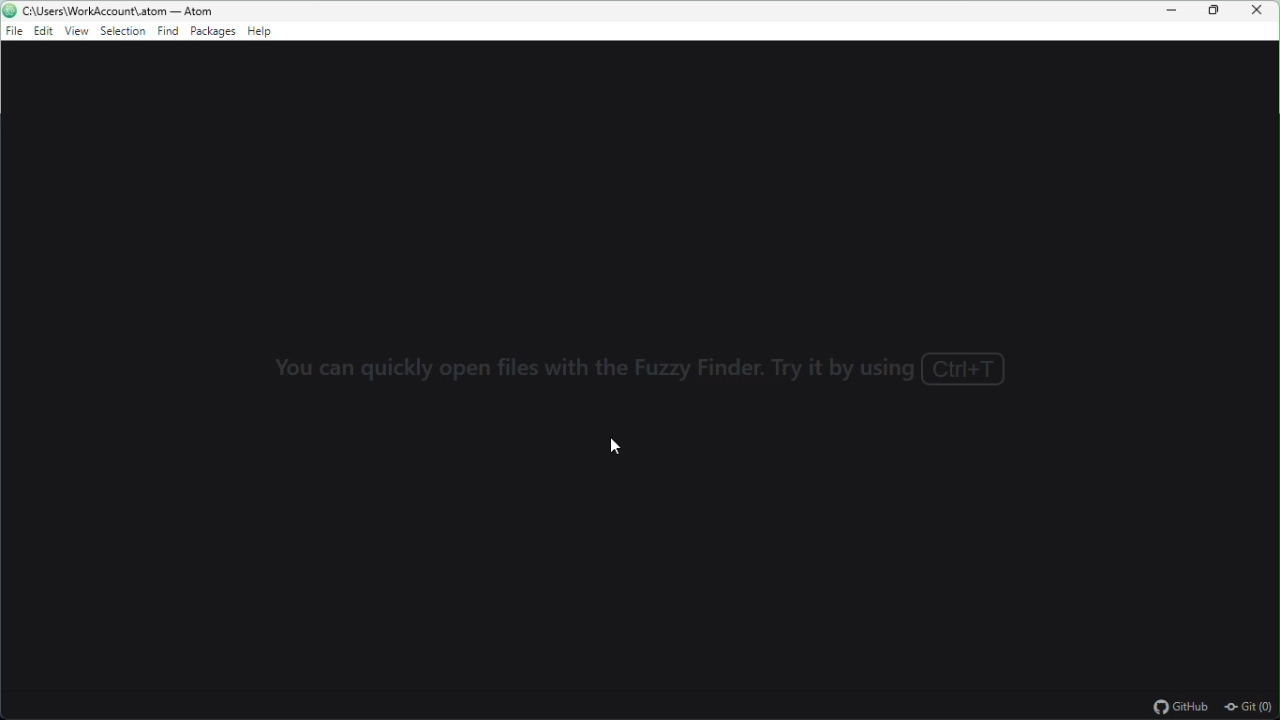 The width and height of the screenshot is (1280, 720). Describe the element at coordinates (212, 33) in the screenshot. I see `Packages` at that location.